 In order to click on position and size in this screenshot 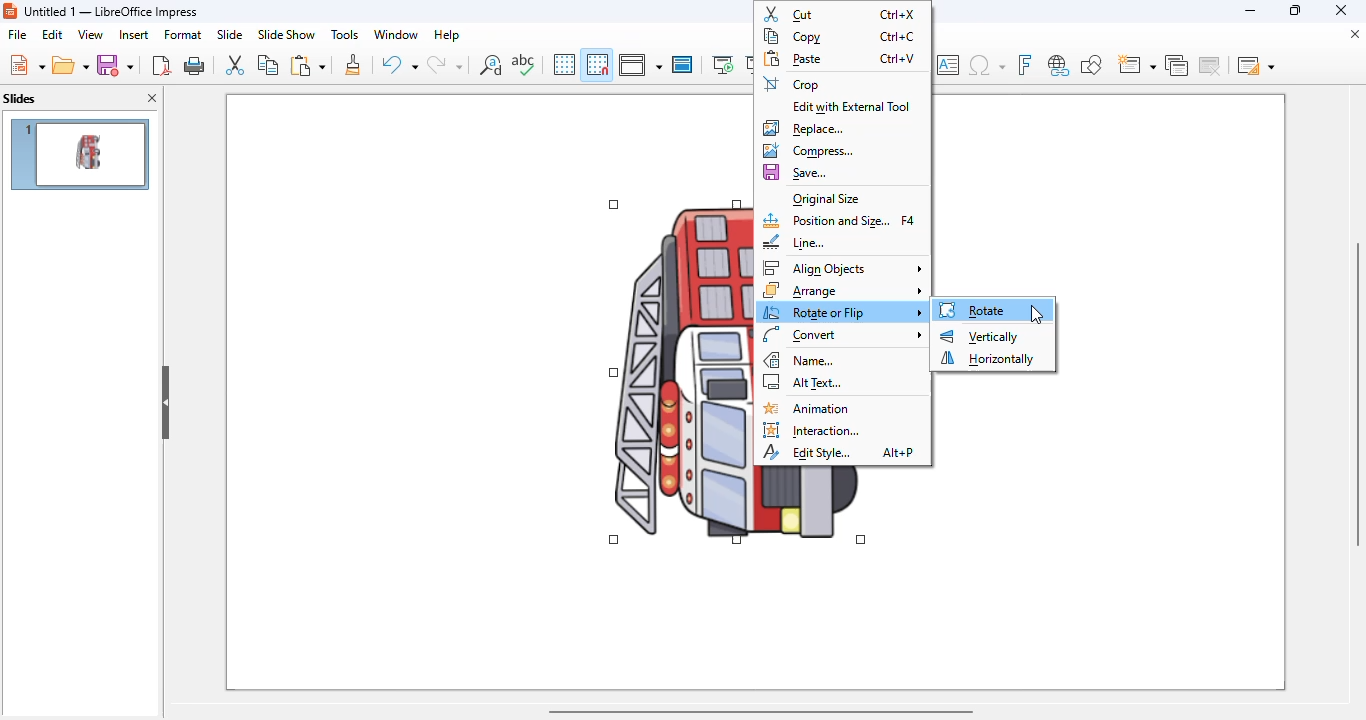, I will do `click(839, 221)`.